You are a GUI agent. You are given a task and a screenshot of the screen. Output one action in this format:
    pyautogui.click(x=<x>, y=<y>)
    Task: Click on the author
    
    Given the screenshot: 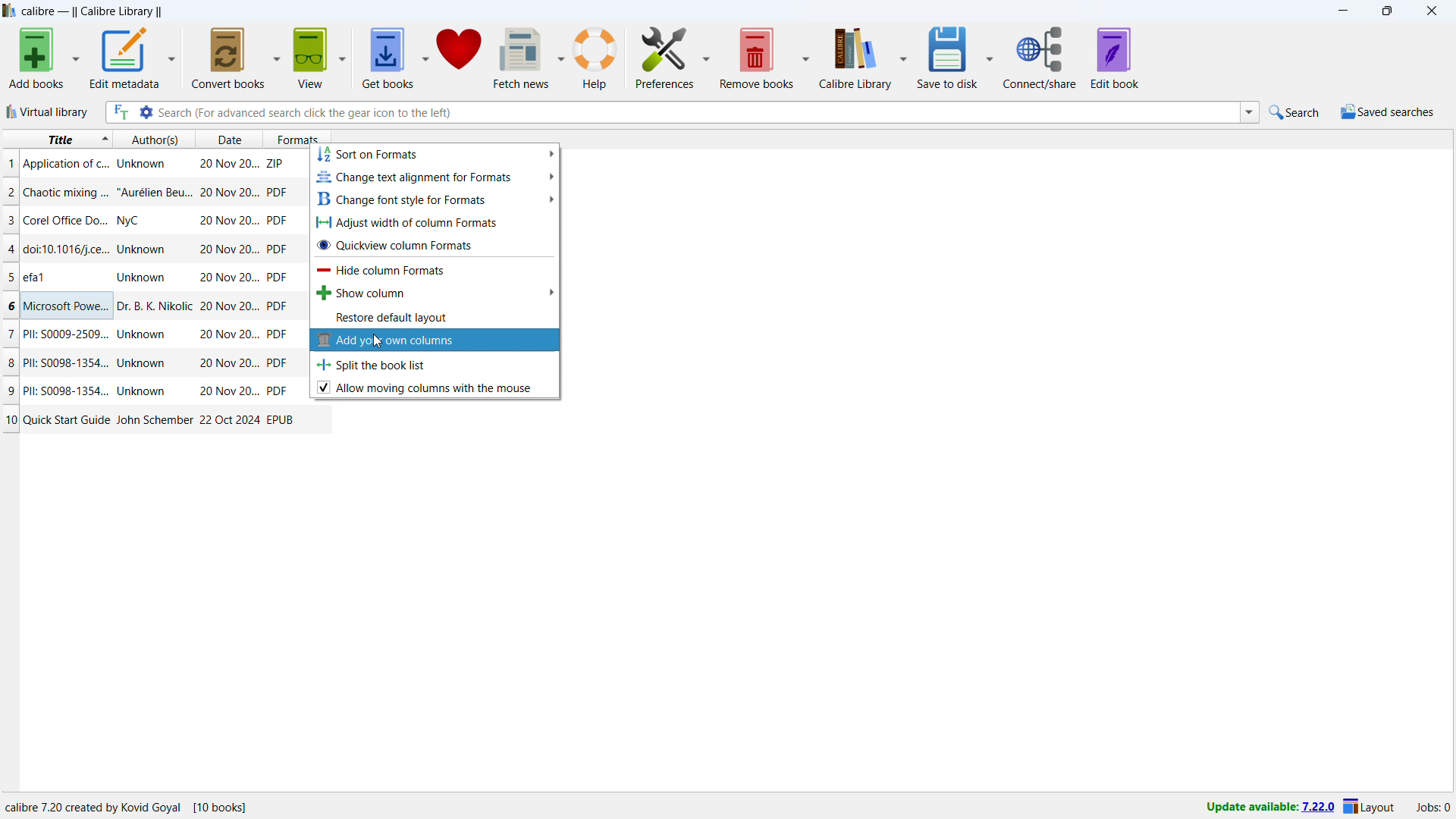 What is the action you would take?
    pyautogui.click(x=155, y=192)
    